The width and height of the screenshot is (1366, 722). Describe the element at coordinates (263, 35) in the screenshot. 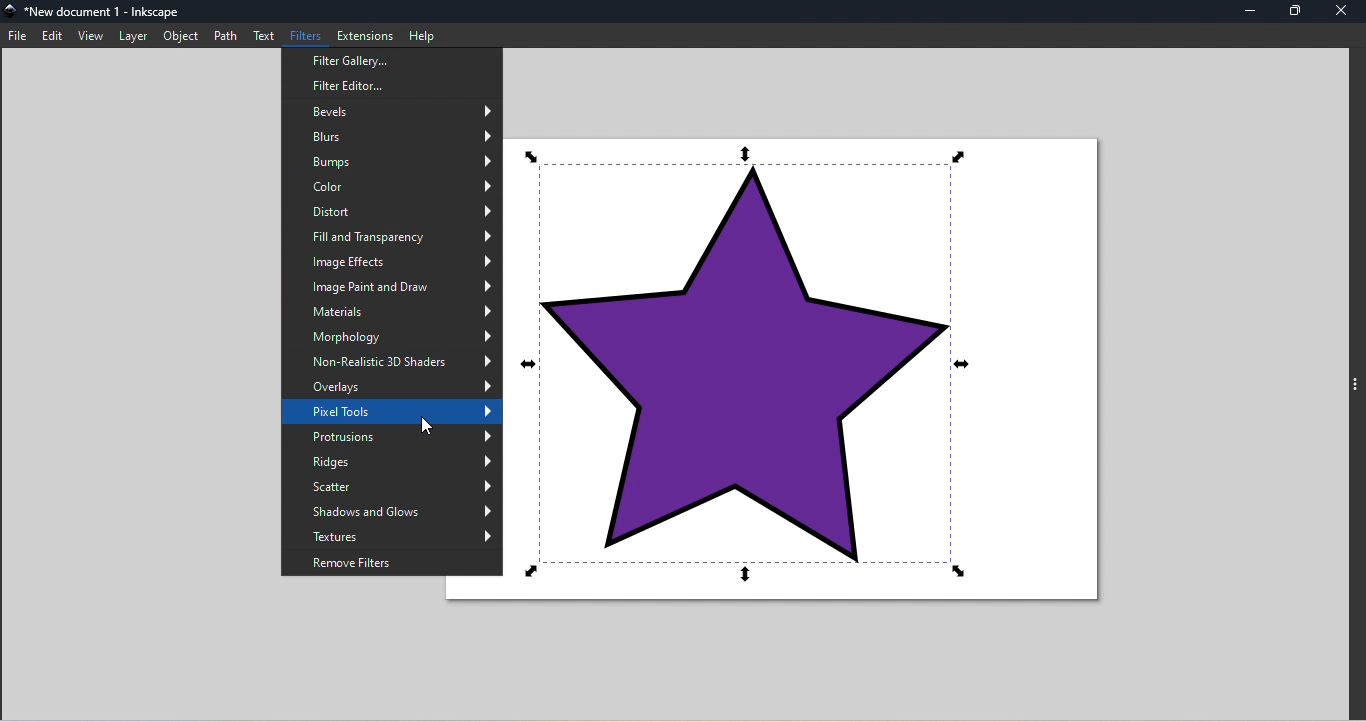

I see `Text` at that location.